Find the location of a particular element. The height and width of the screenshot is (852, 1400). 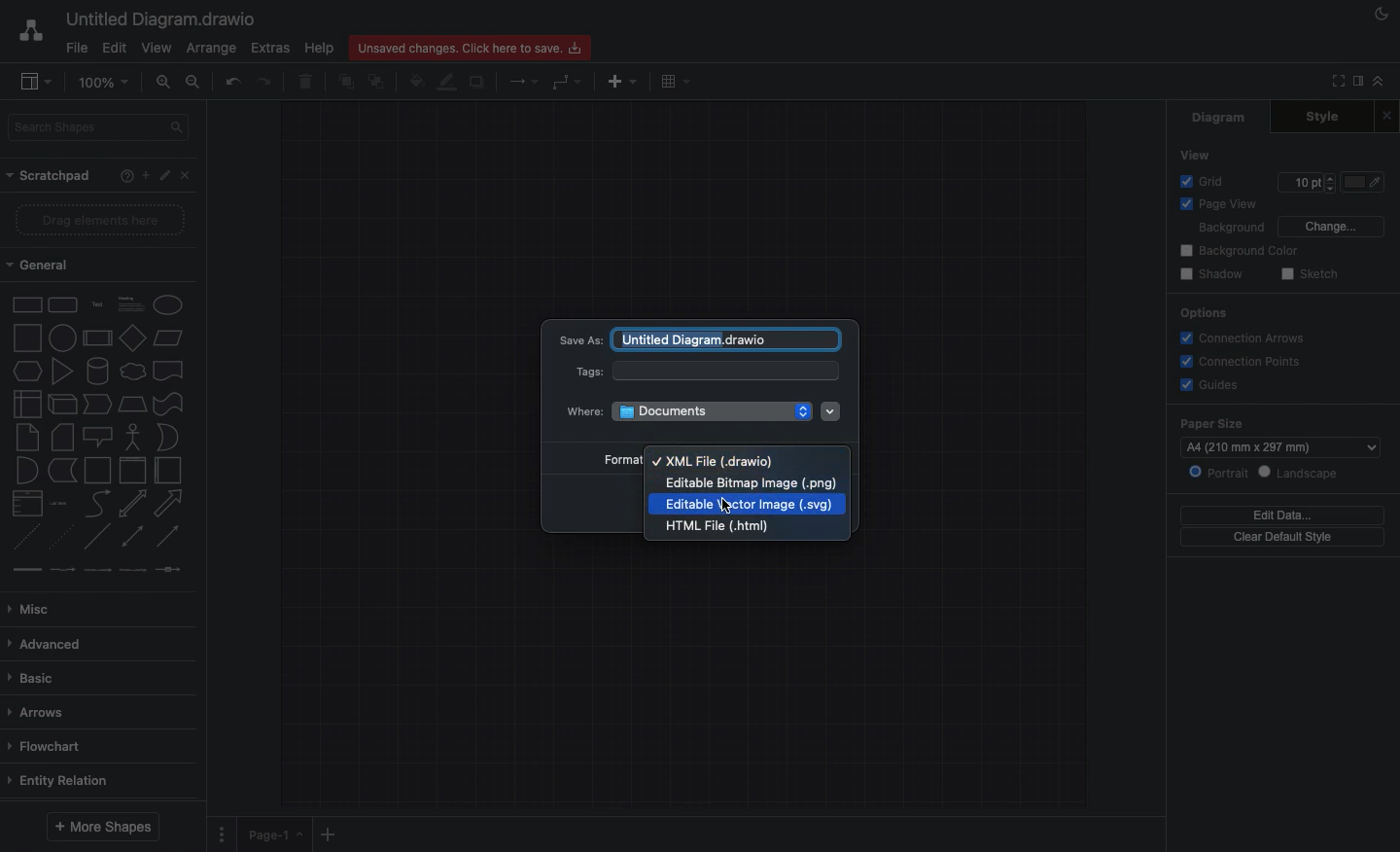

Collapse is located at coordinates (1379, 82).